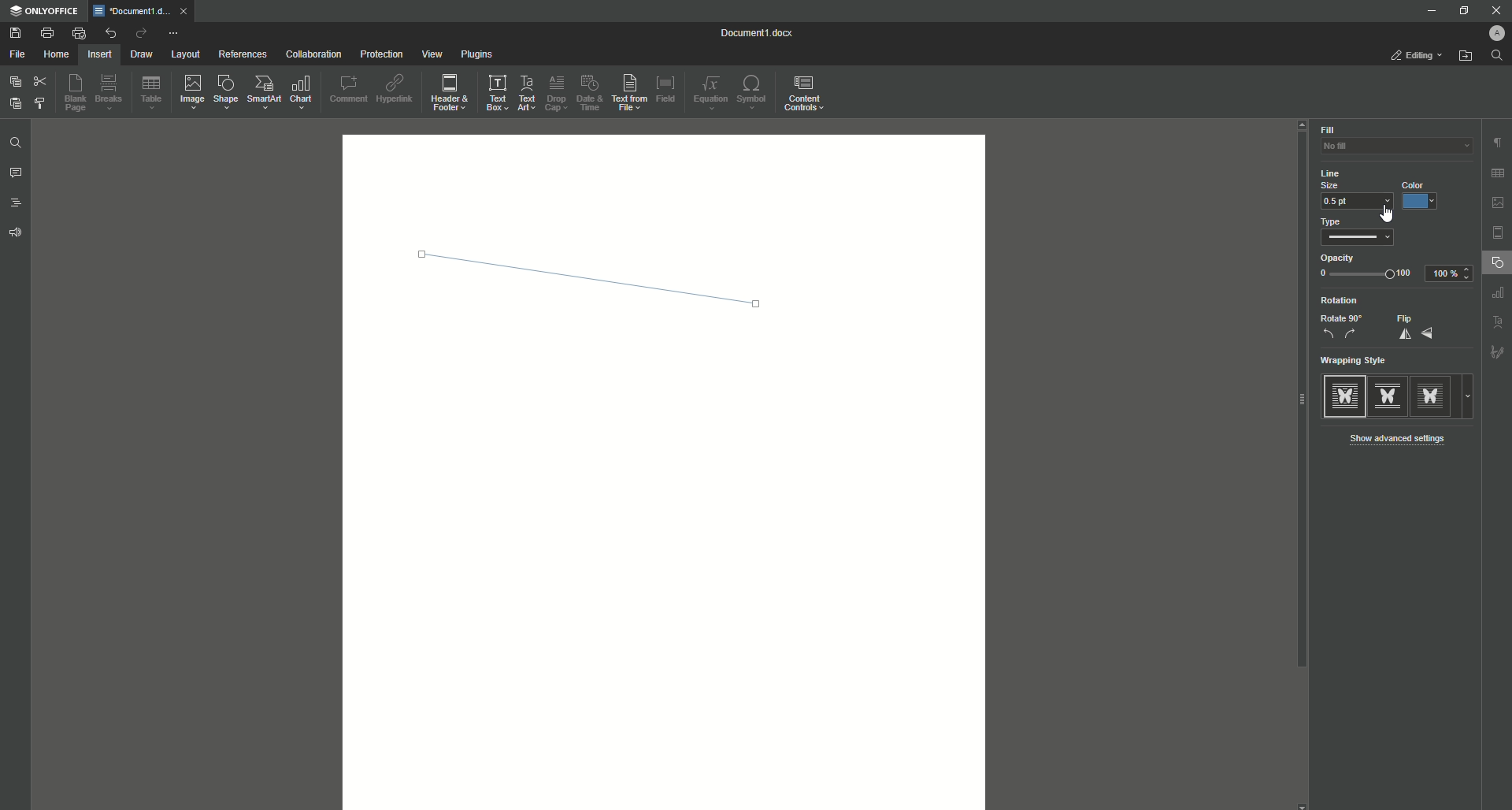  I want to click on picture, so click(1497, 202).